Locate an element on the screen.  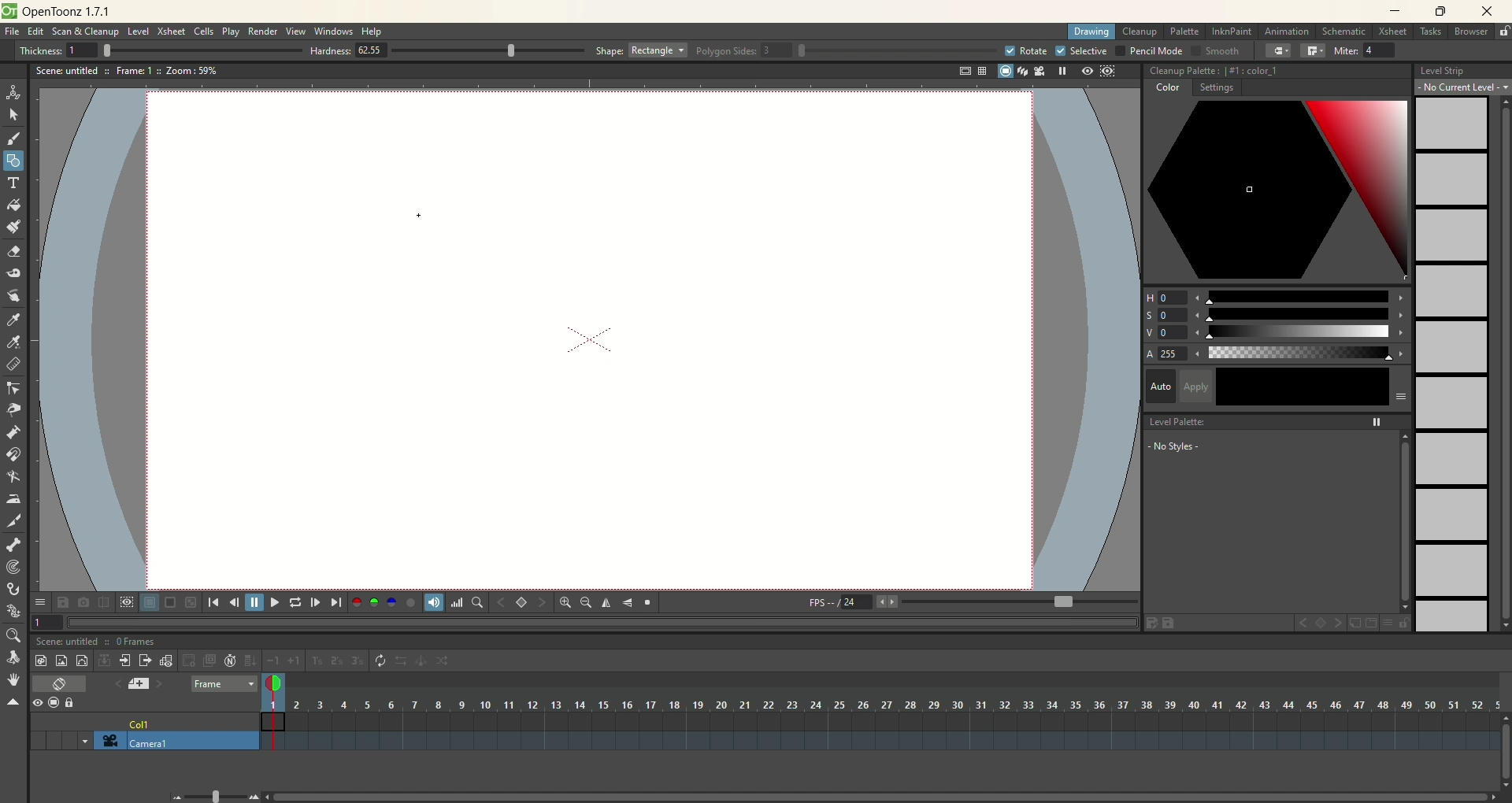
playback frame rate is located at coordinates (856, 605).